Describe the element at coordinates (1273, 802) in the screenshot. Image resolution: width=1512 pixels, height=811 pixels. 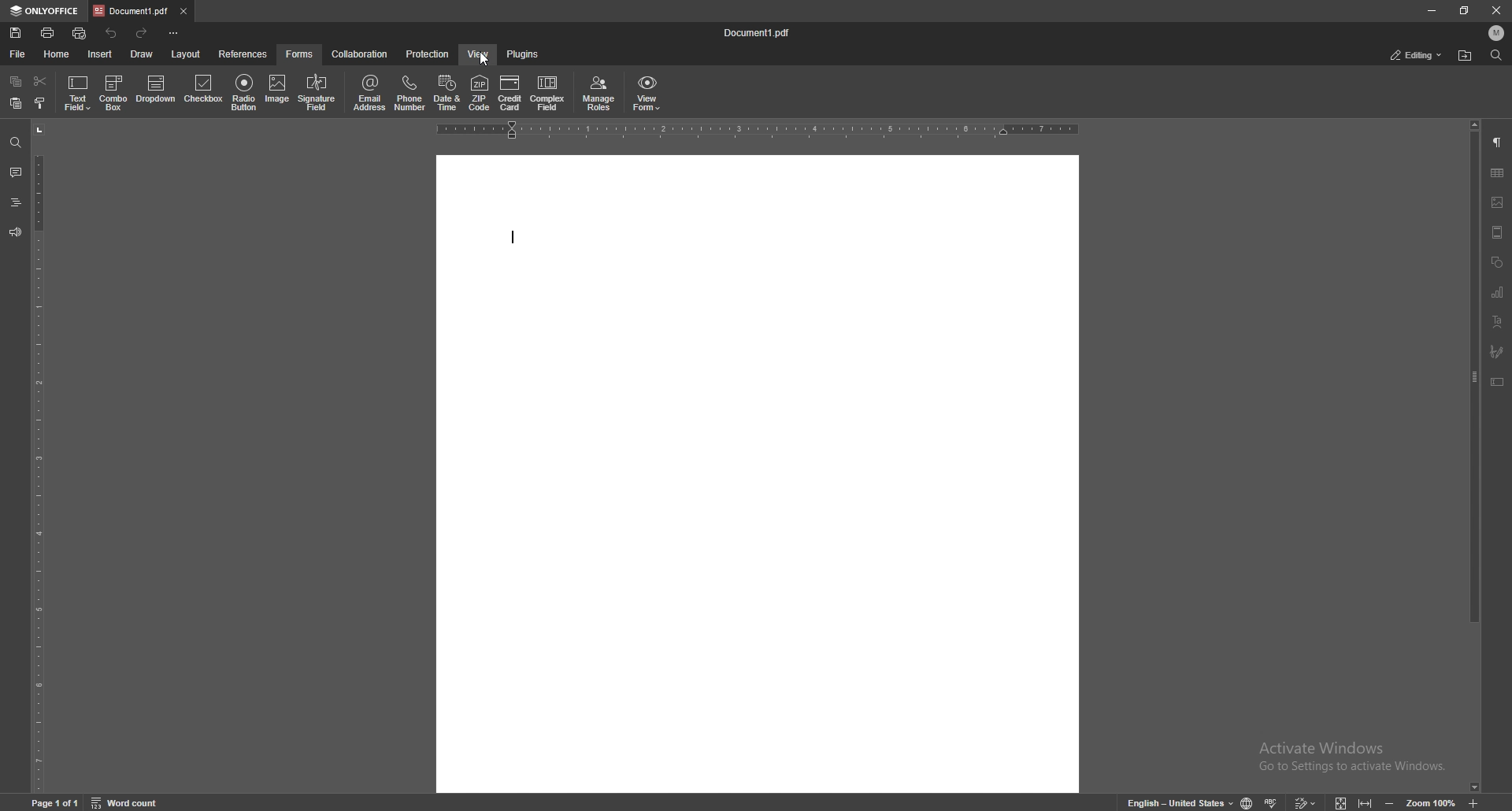
I see `spell check` at that location.